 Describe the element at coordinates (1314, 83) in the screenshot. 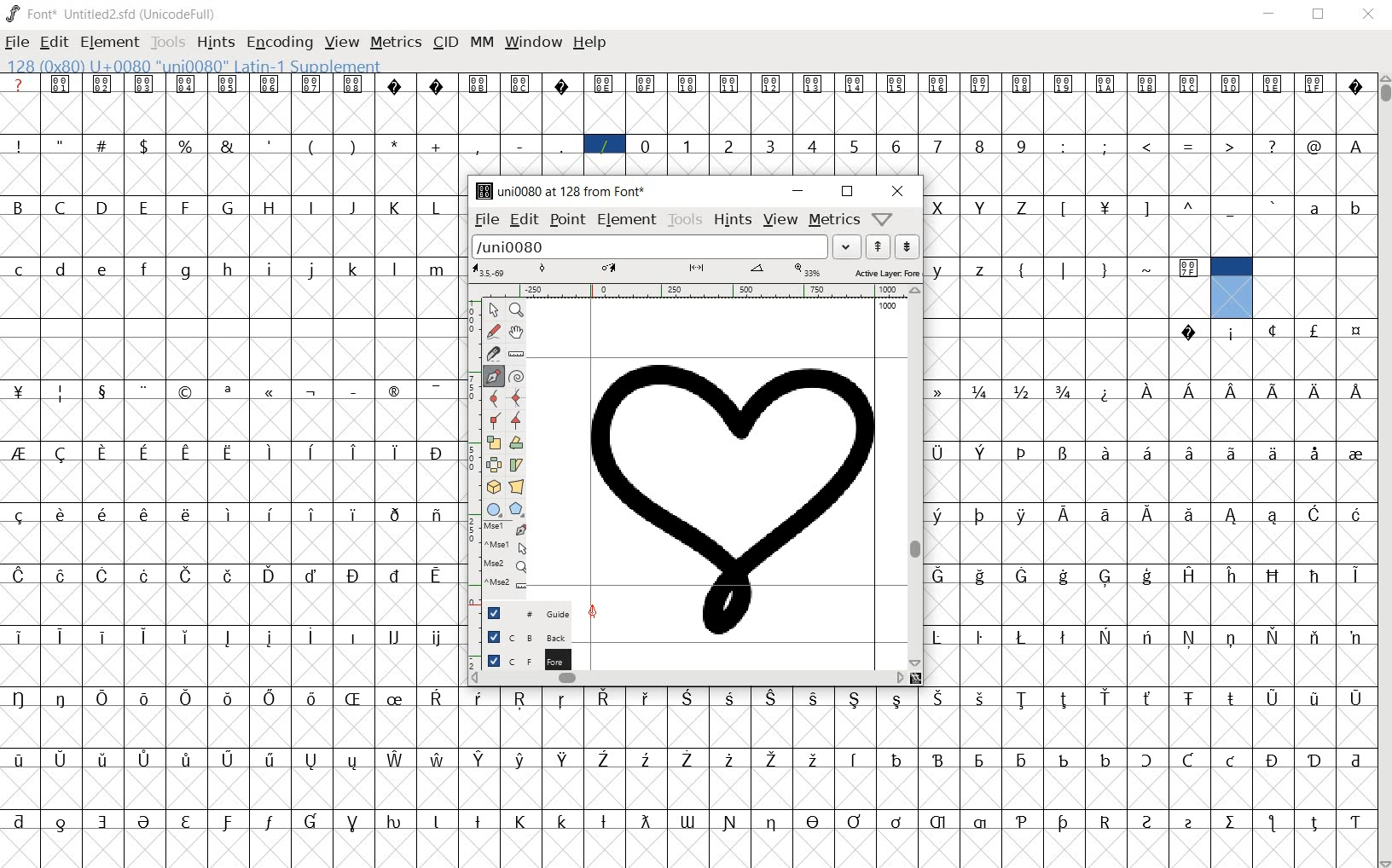

I see `glyph` at that location.